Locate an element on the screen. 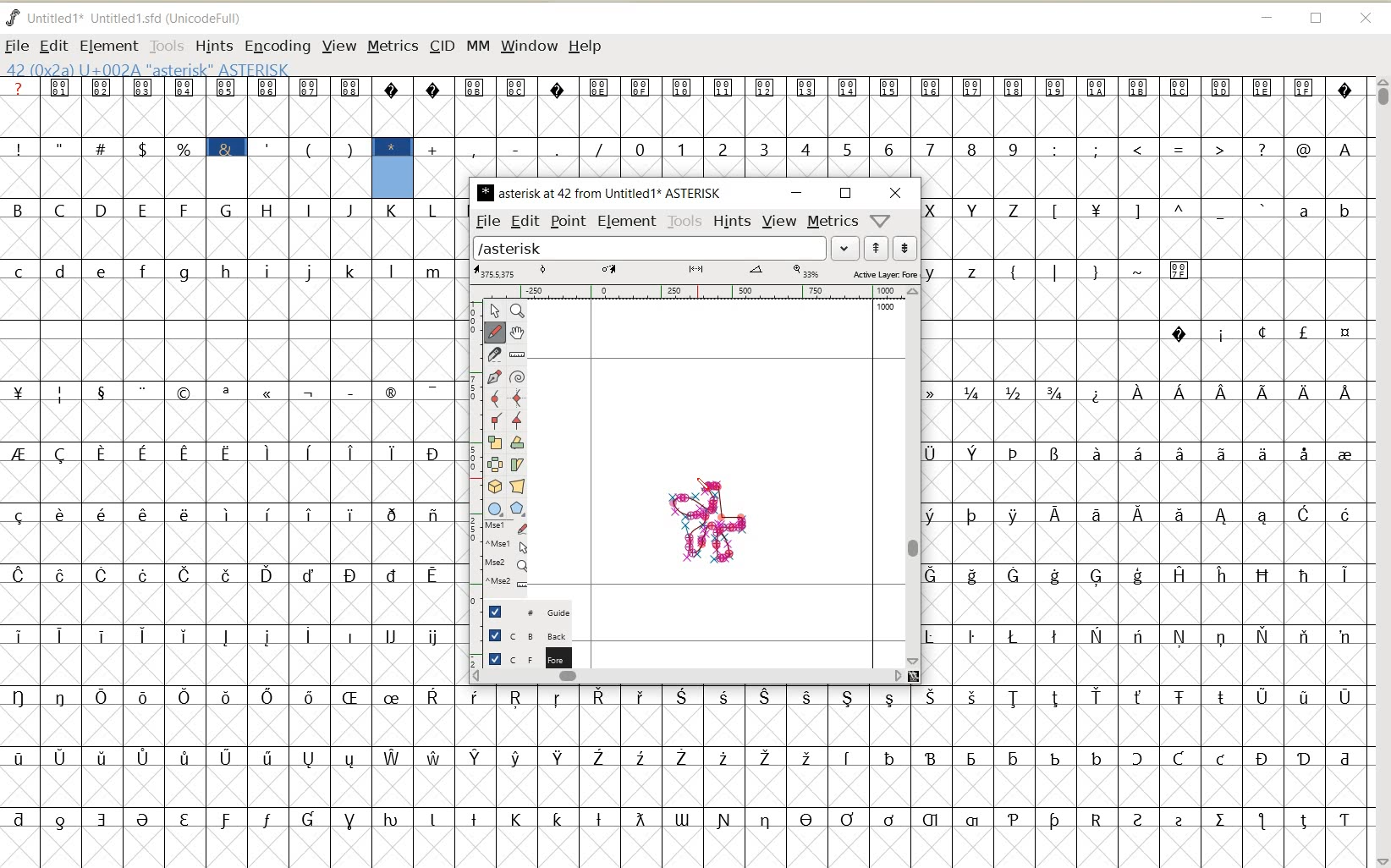 This screenshot has height=868, width=1391. polygon or star is located at coordinates (518, 509).